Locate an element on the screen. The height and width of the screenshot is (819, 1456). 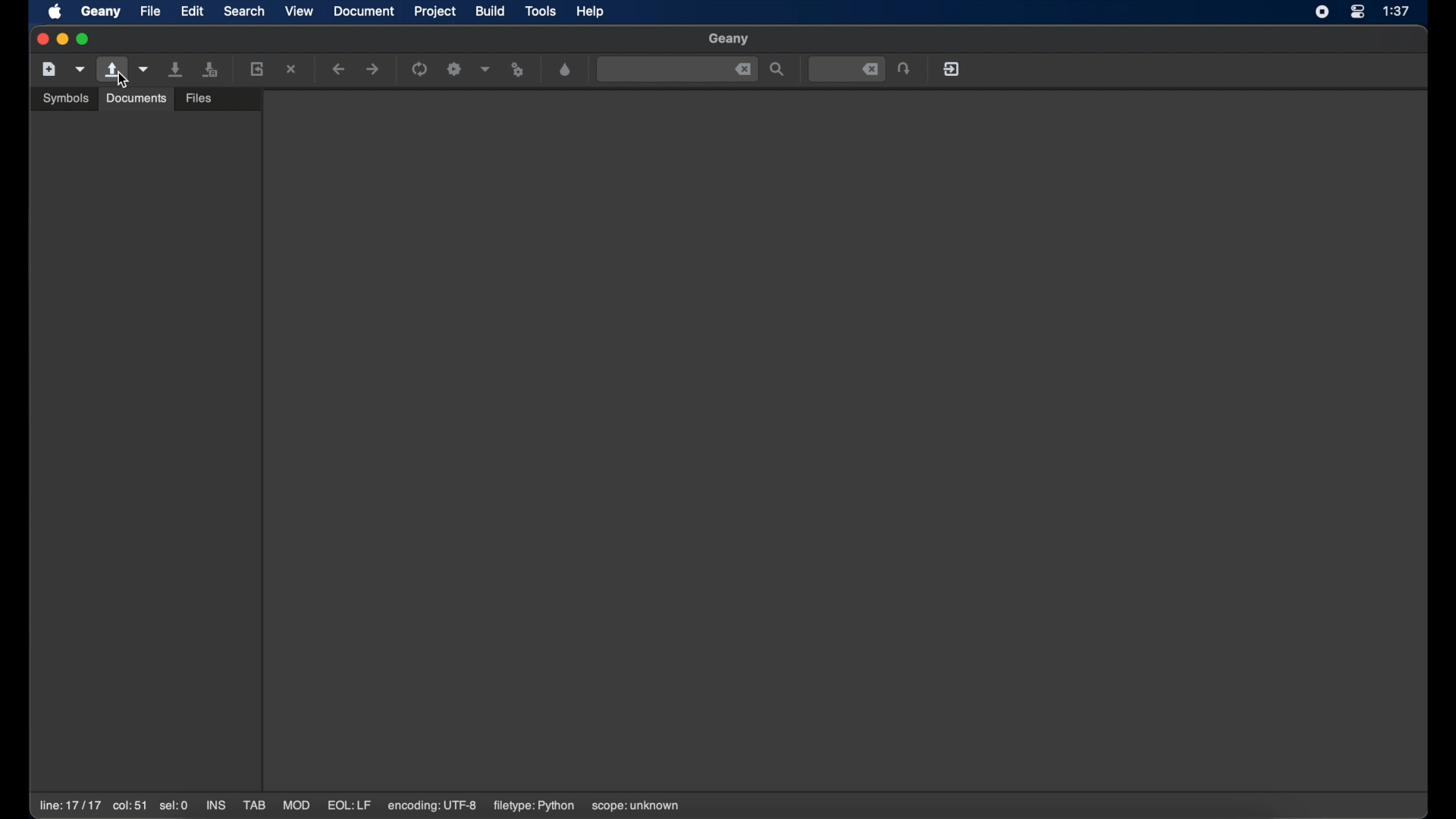
symbols is located at coordinates (65, 97).